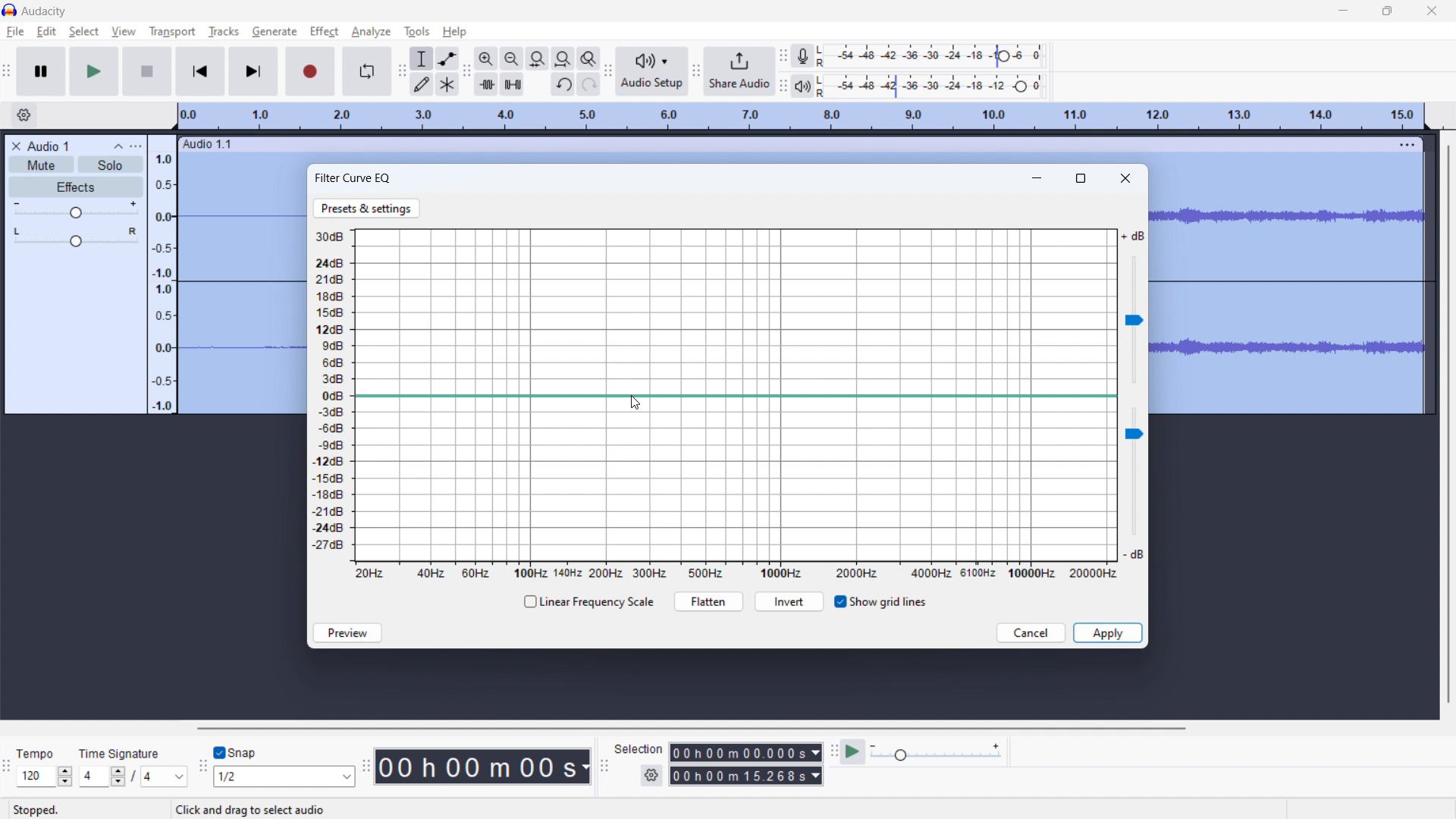 Image resolution: width=1456 pixels, height=819 pixels. I want to click on record level, so click(935, 56).